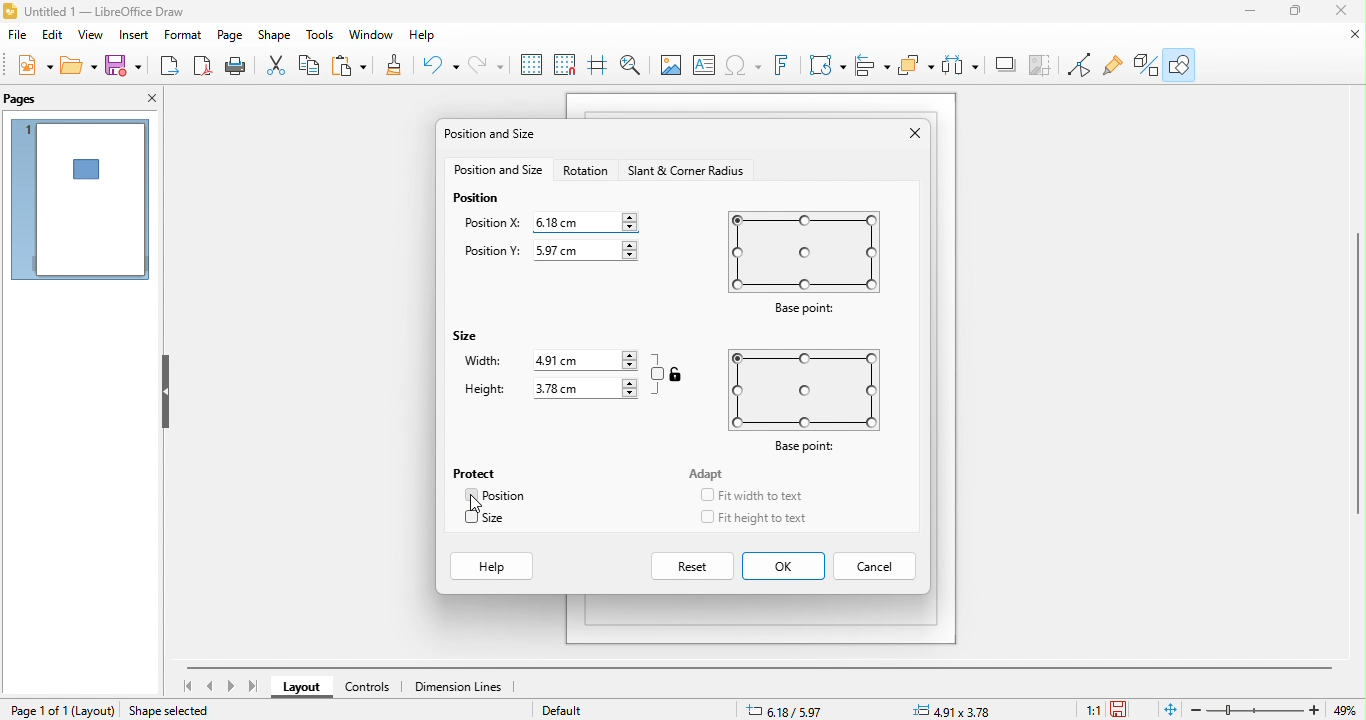 The height and width of the screenshot is (720, 1366). I want to click on page 1, so click(80, 199).